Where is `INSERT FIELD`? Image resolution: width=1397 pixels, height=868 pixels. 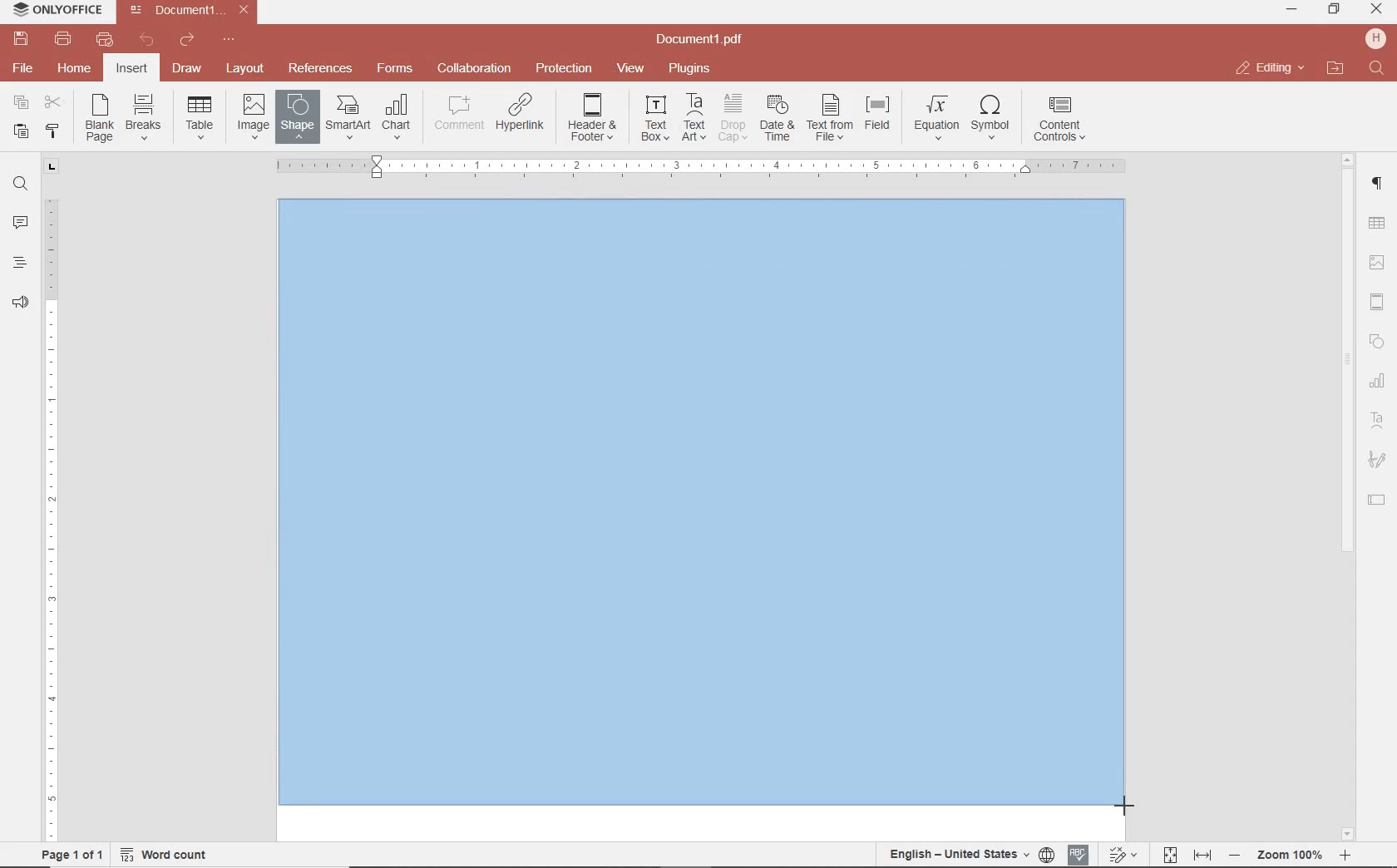 INSERT FIELD is located at coordinates (879, 113).